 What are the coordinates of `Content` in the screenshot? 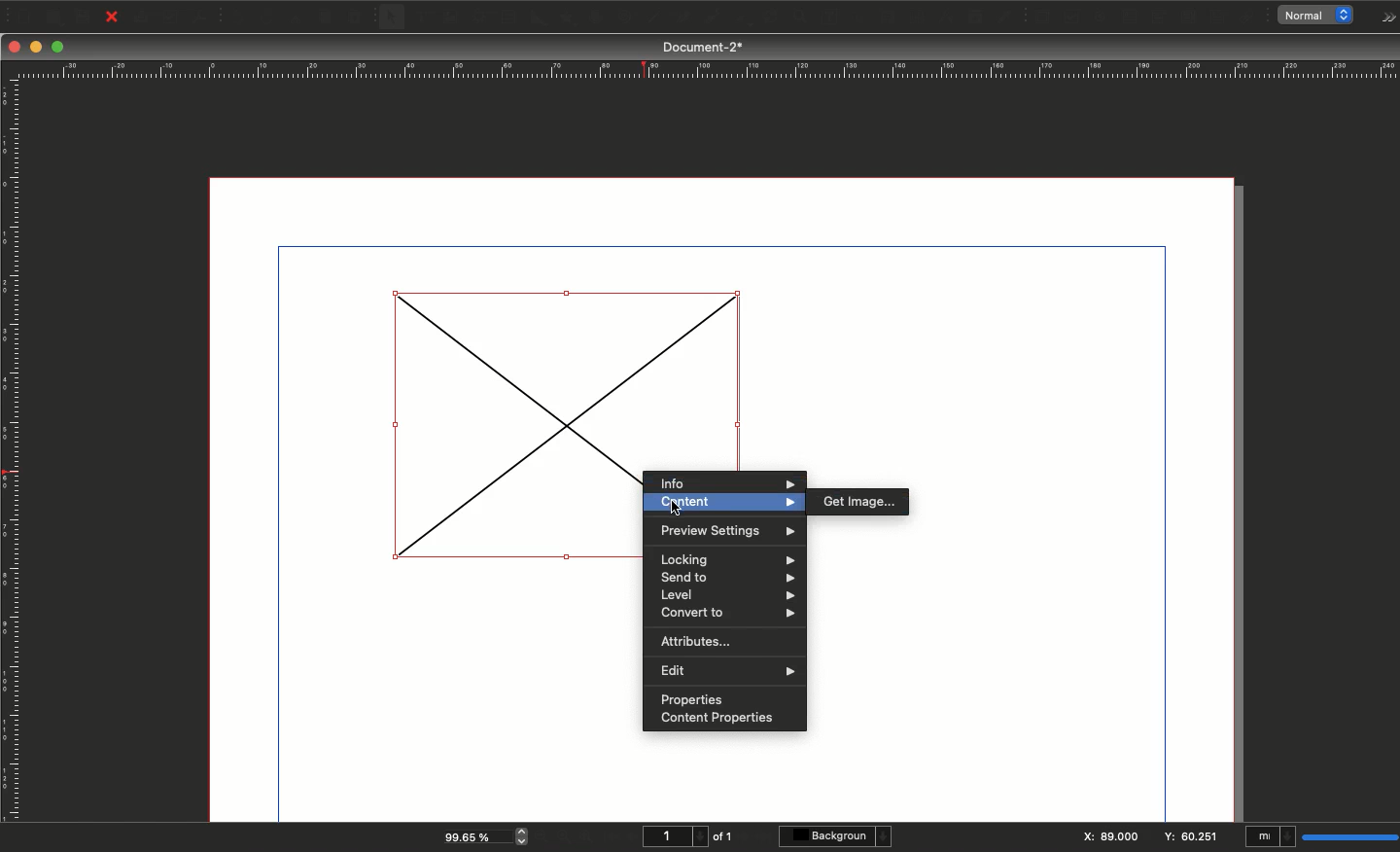 It's located at (723, 505).